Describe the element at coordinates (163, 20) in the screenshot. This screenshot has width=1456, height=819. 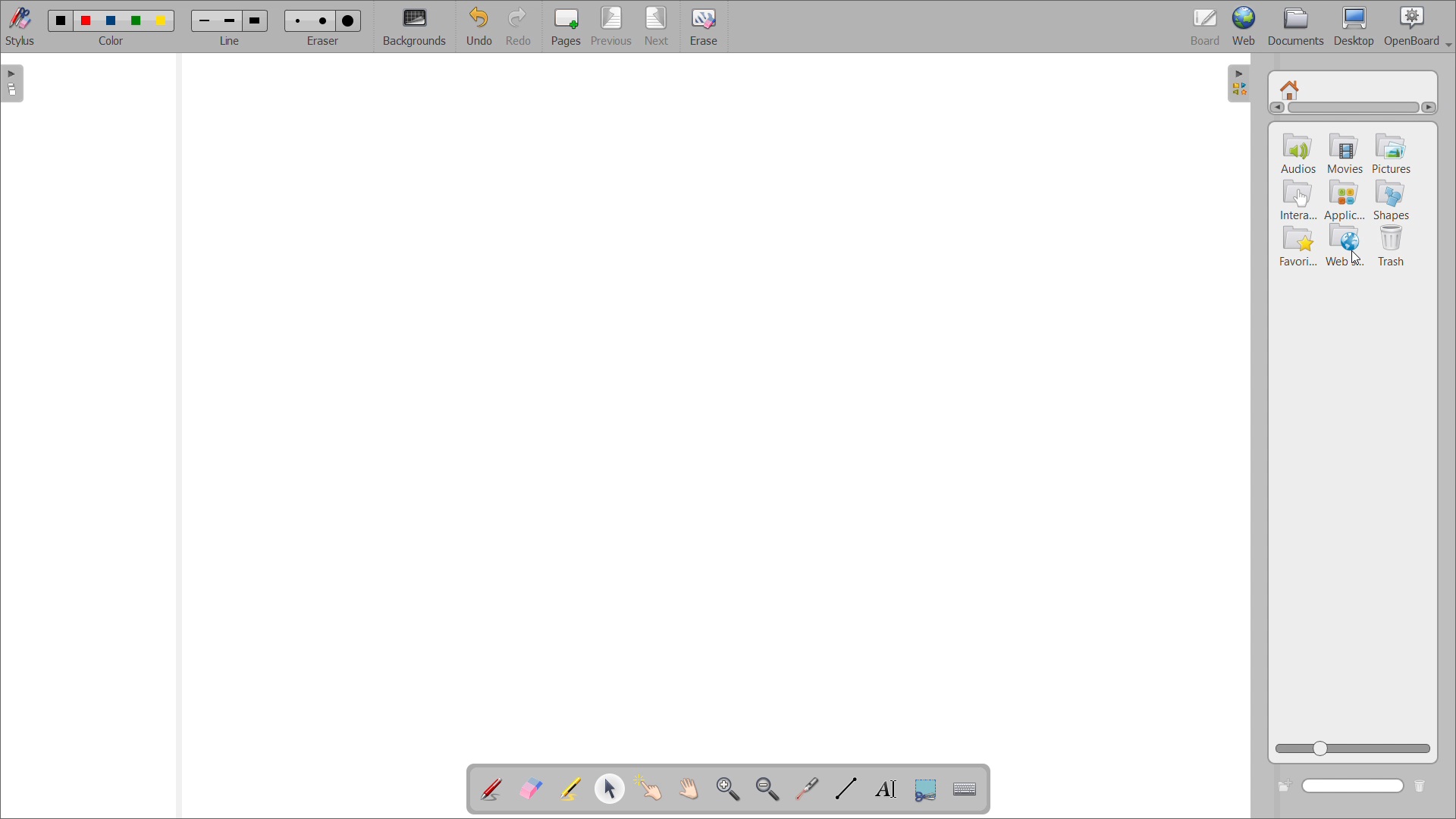
I see `Color 5` at that location.